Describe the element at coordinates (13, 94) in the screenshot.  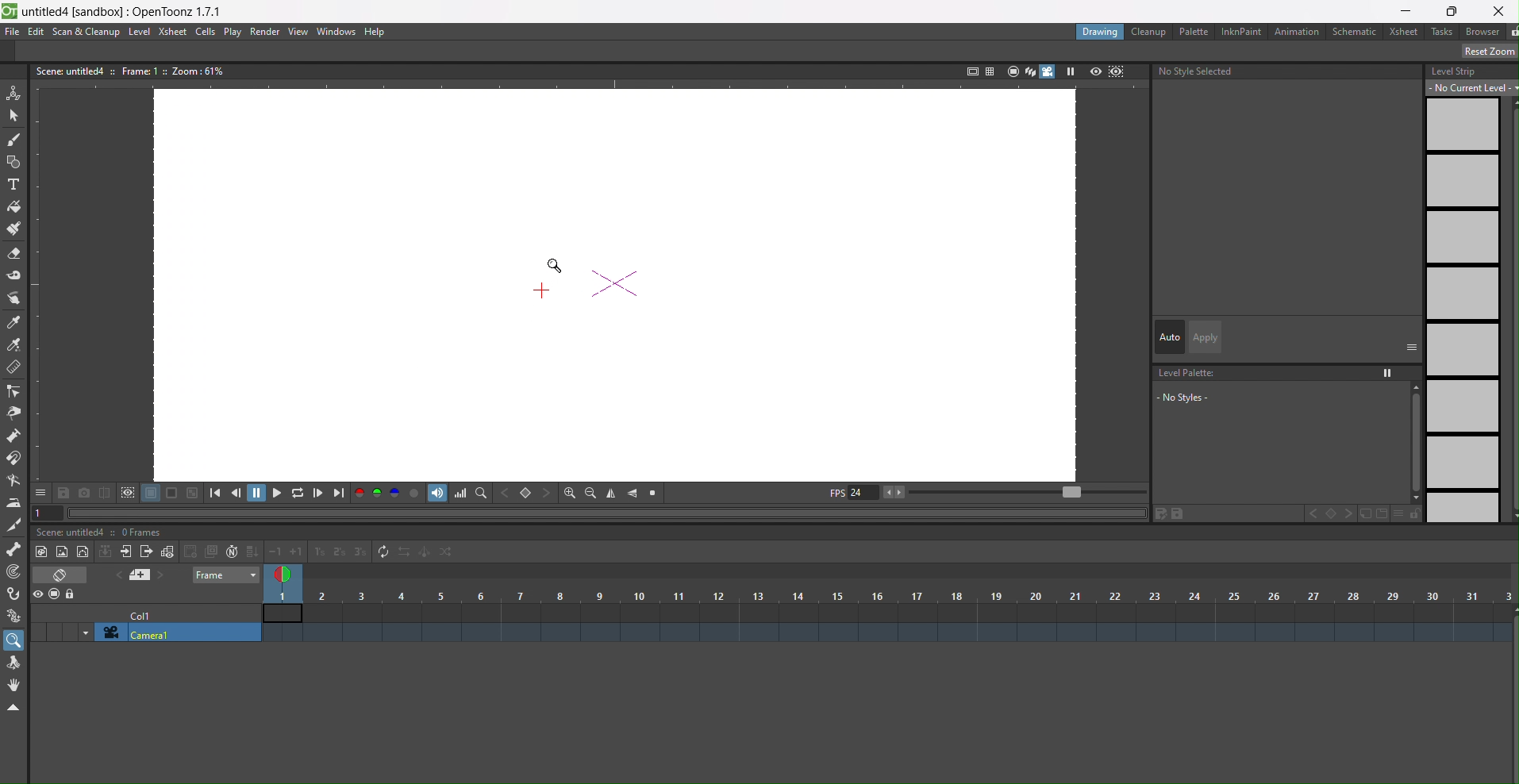
I see `` at that location.